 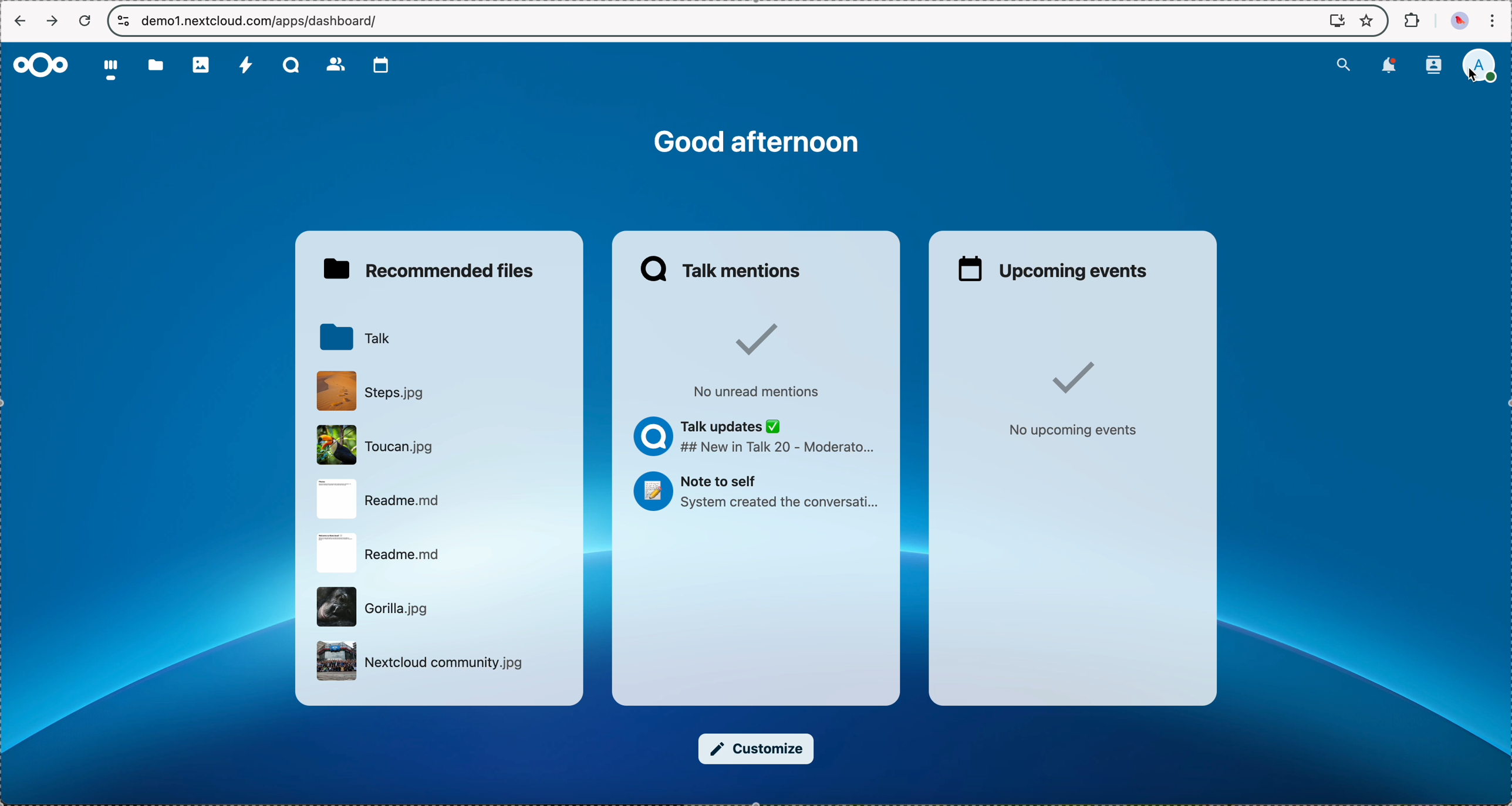 What do you see at coordinates (1387, 67) in the screenshot?
I see `notifications` at bounding box center [1387, 67].